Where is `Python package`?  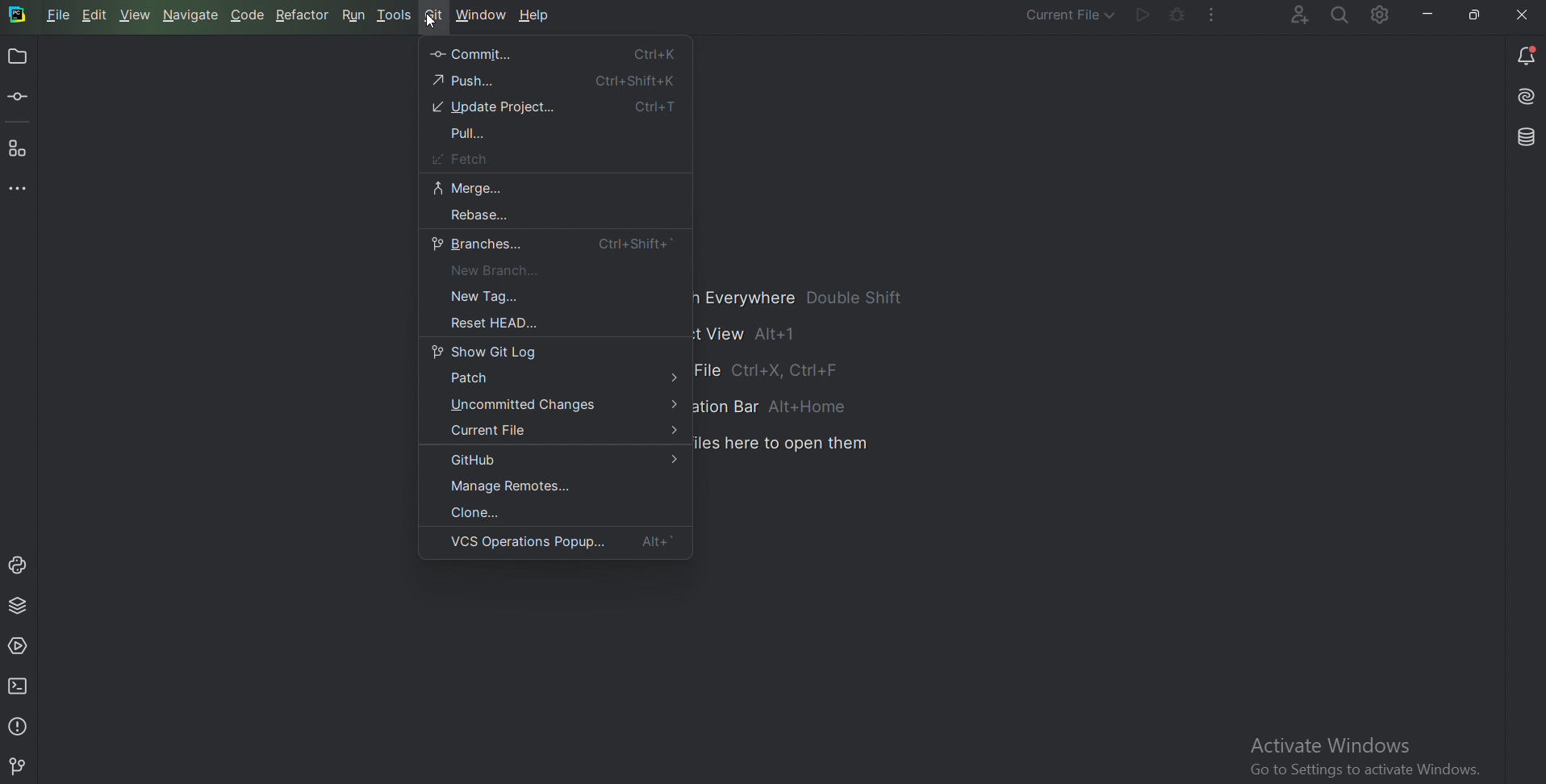
Python package is located at coordinates (21, 607).